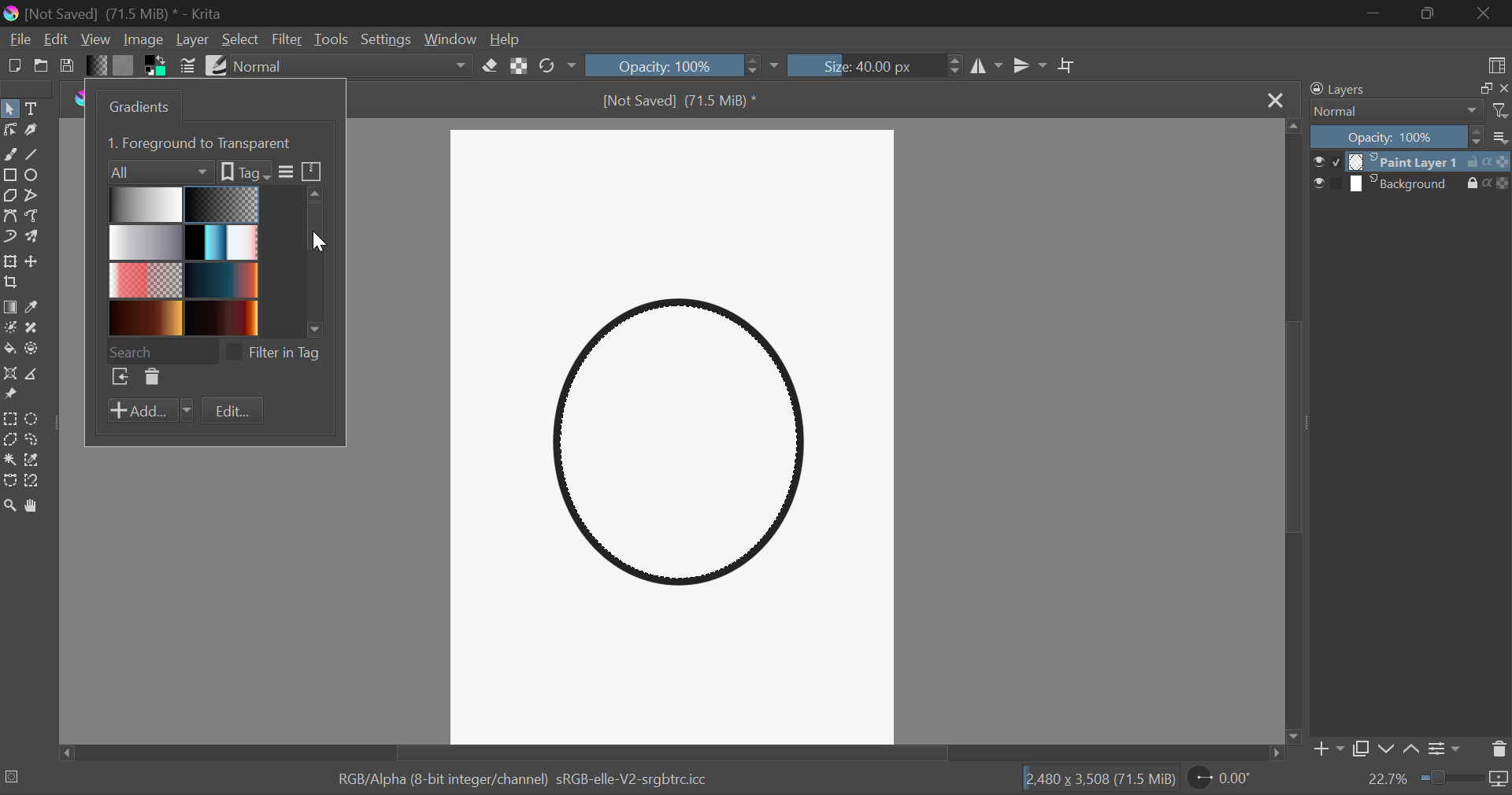 The width and height of the screenshot is (1512, 795). Describe the element at coordinates (120, 377) in the screenshot. I see `Browse ` at that location.